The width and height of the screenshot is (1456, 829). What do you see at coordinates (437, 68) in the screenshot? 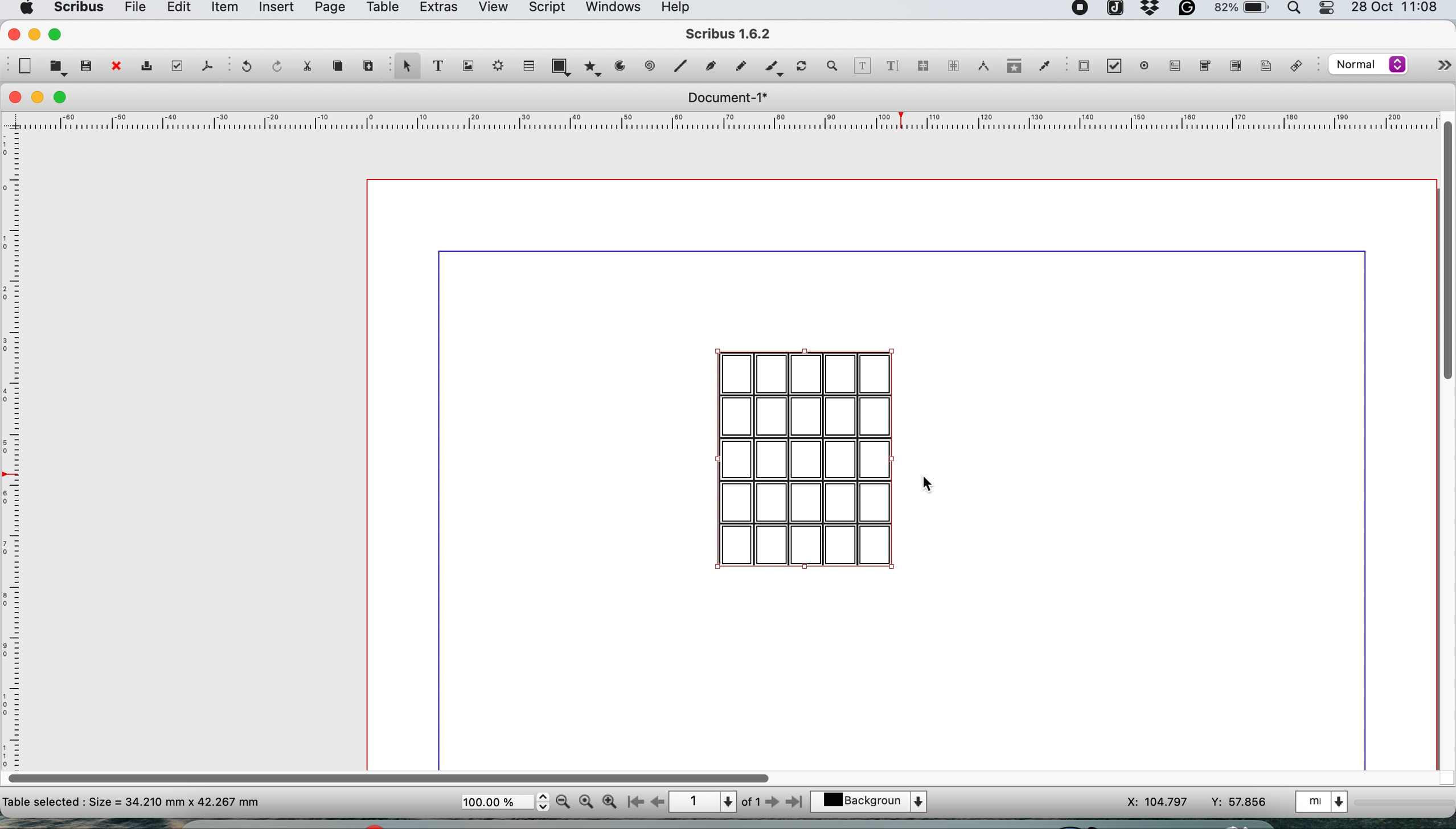
I see `text frame` at bounding box center [437, 68].